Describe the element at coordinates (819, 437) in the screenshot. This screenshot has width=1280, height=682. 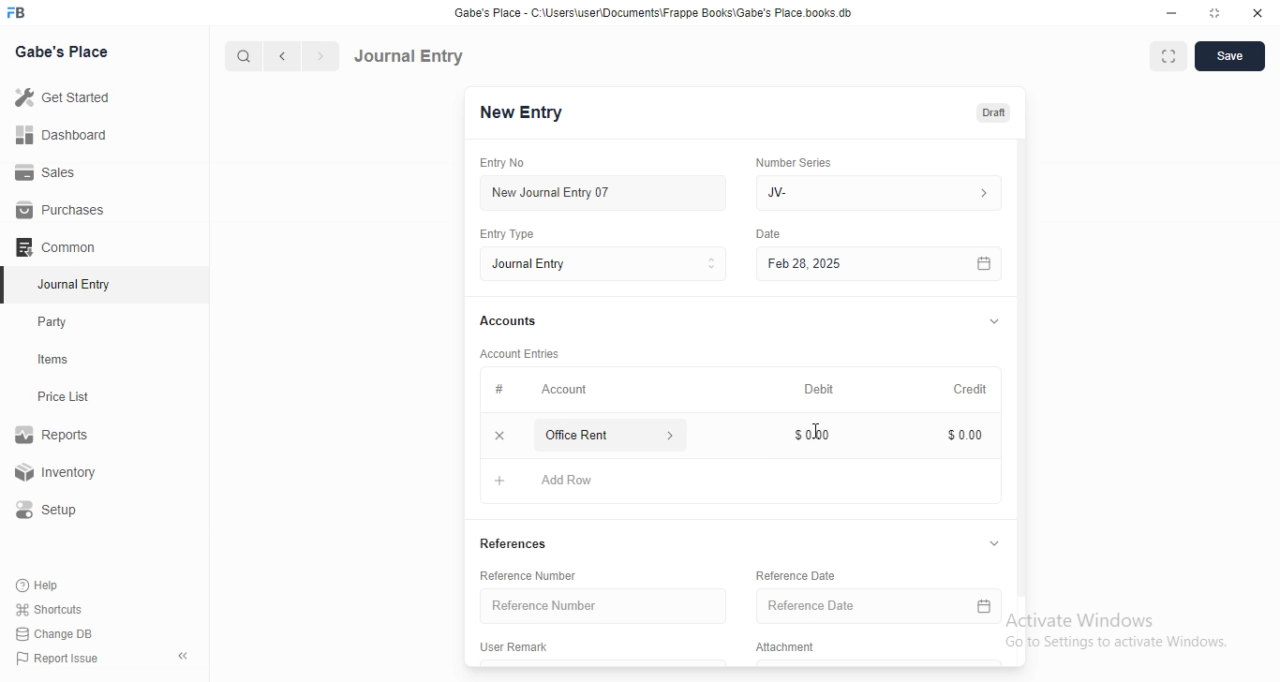
I see `$ 0.00` at that location.